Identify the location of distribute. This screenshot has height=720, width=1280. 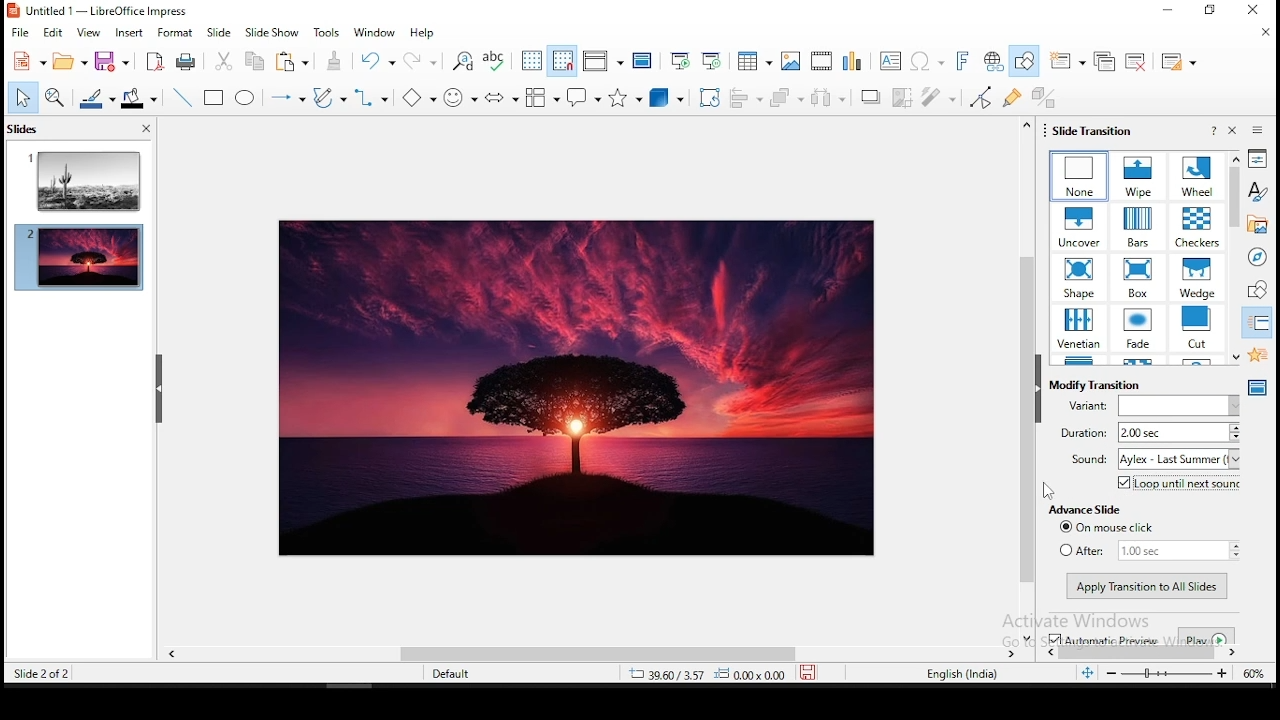
(833, 98).